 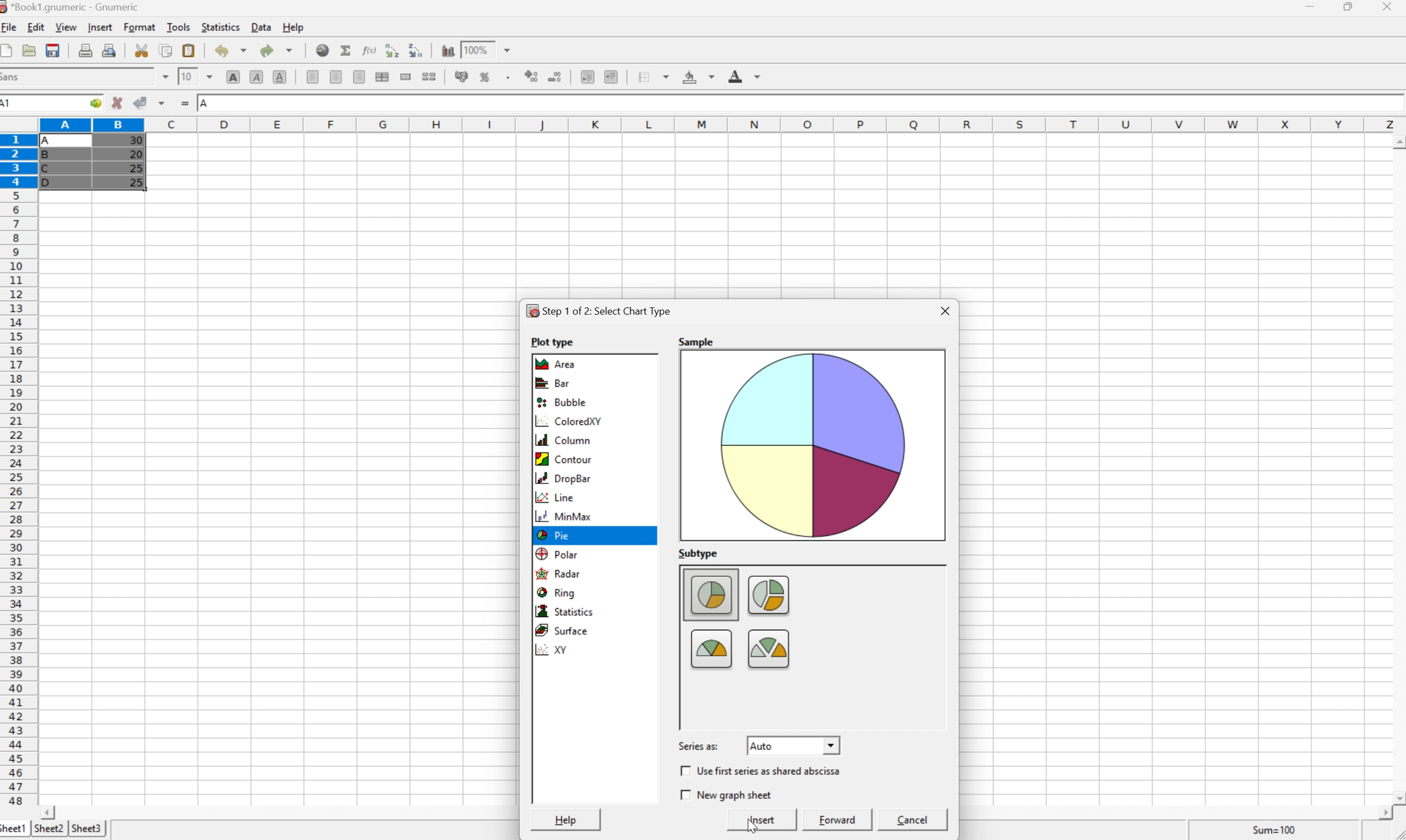 I want to click on Checkbox, so click(x=683, y=770).